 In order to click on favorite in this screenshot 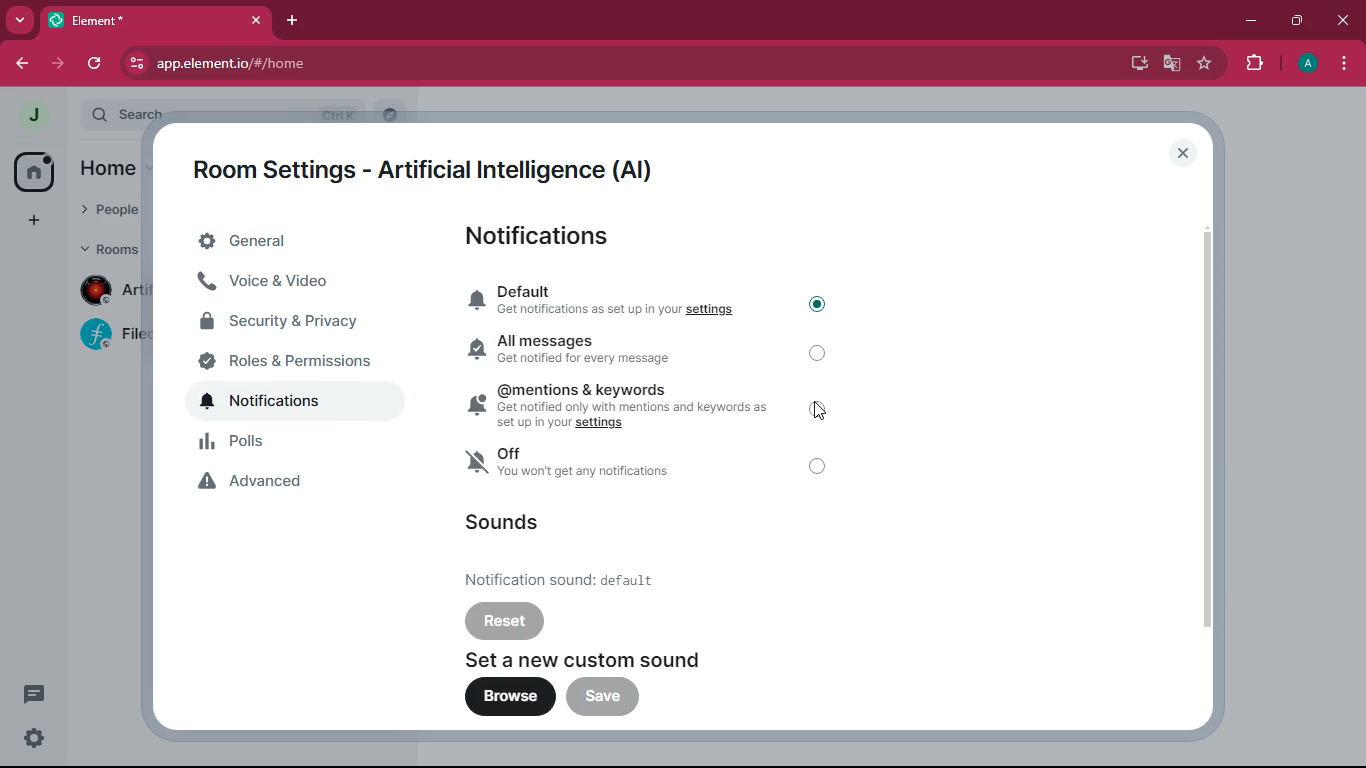, I will do `click(1206, 66)`.